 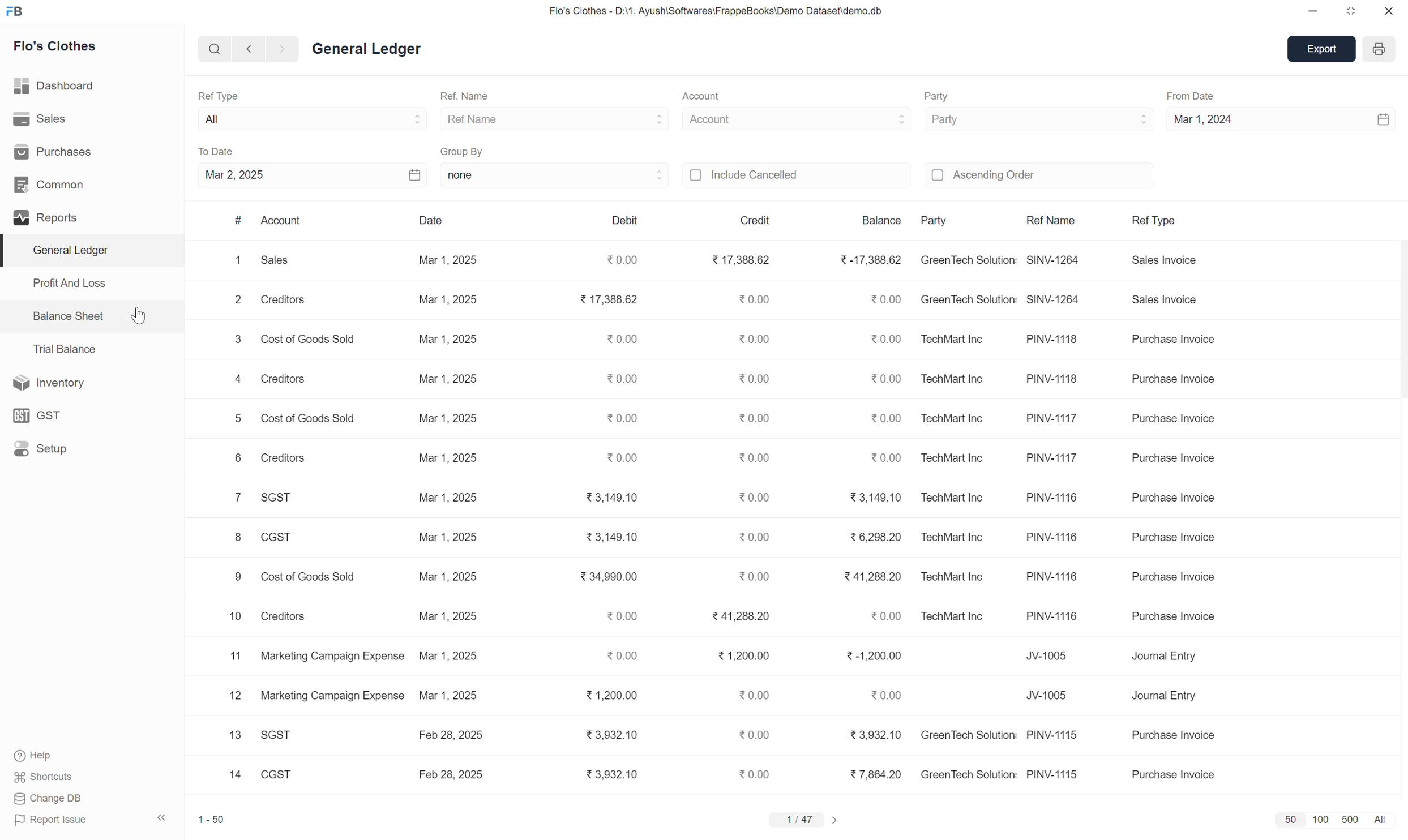 I want to click on Mar 1, 2025, so click(x=450, y=580).